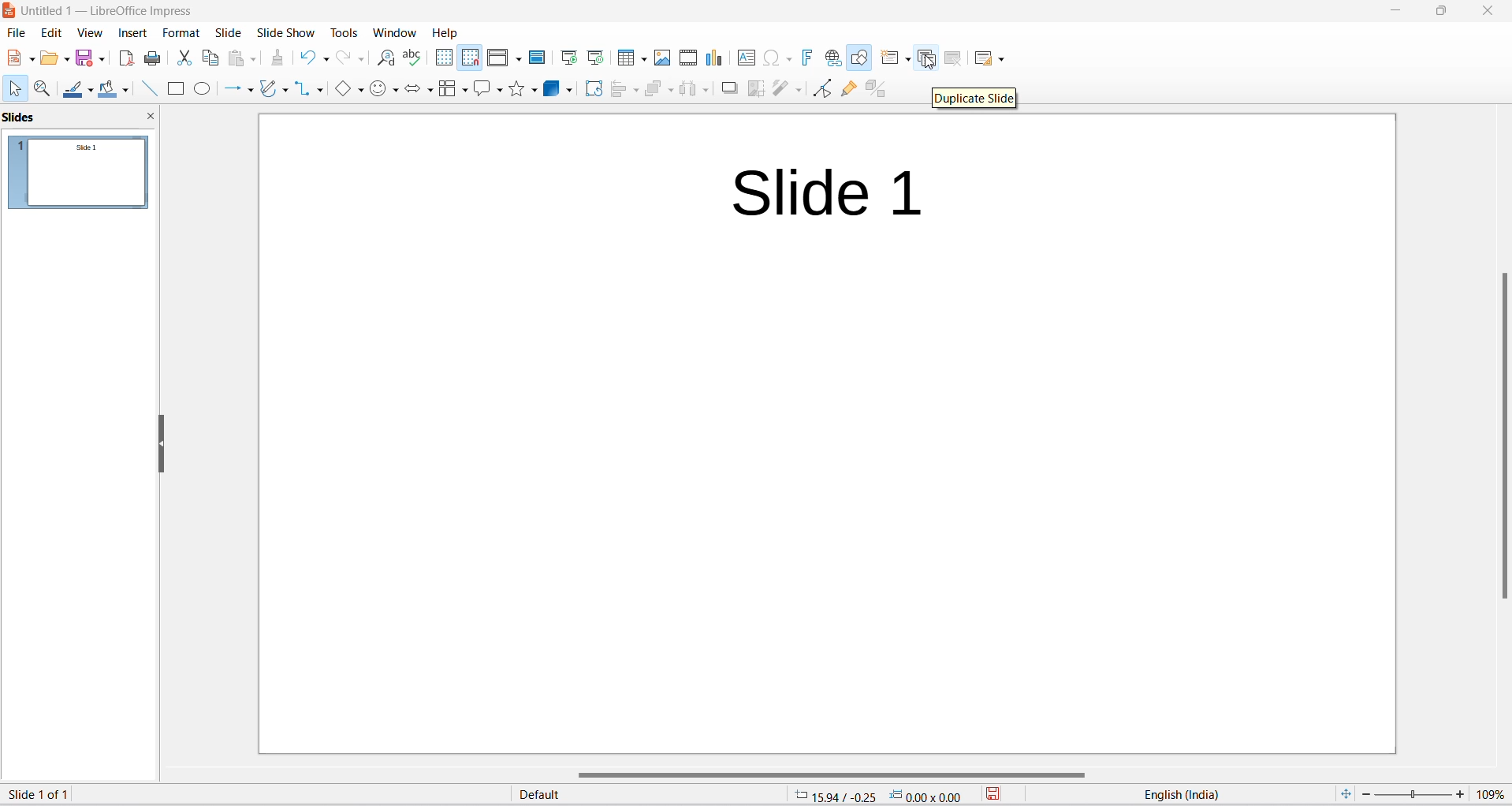 This screenshot has width=1512, height=806. I want to click on view, so click(89, 31).